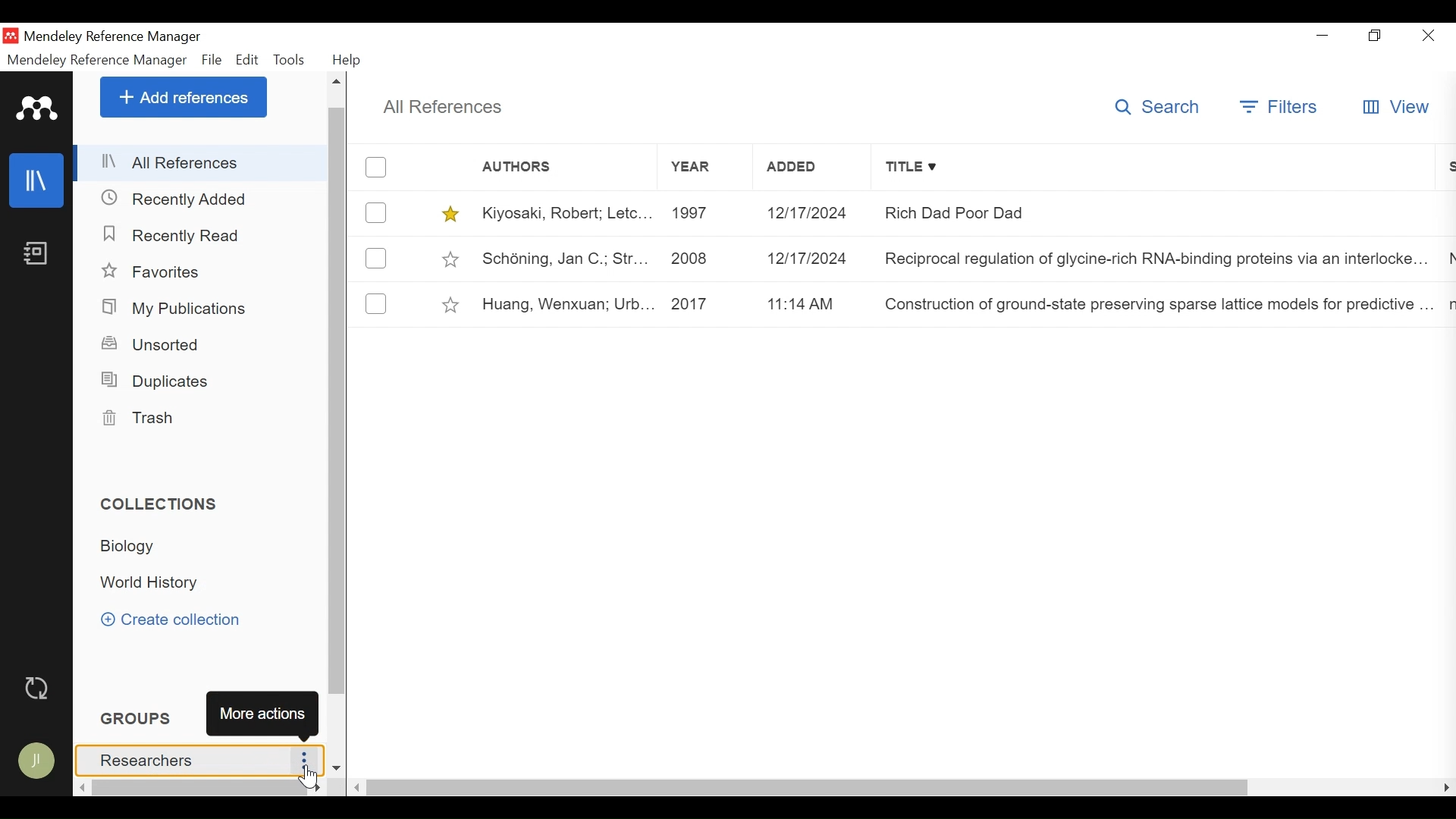 The image size is (1456, 819). I want to click on Horizontal scroll bar, so click(191, 788).